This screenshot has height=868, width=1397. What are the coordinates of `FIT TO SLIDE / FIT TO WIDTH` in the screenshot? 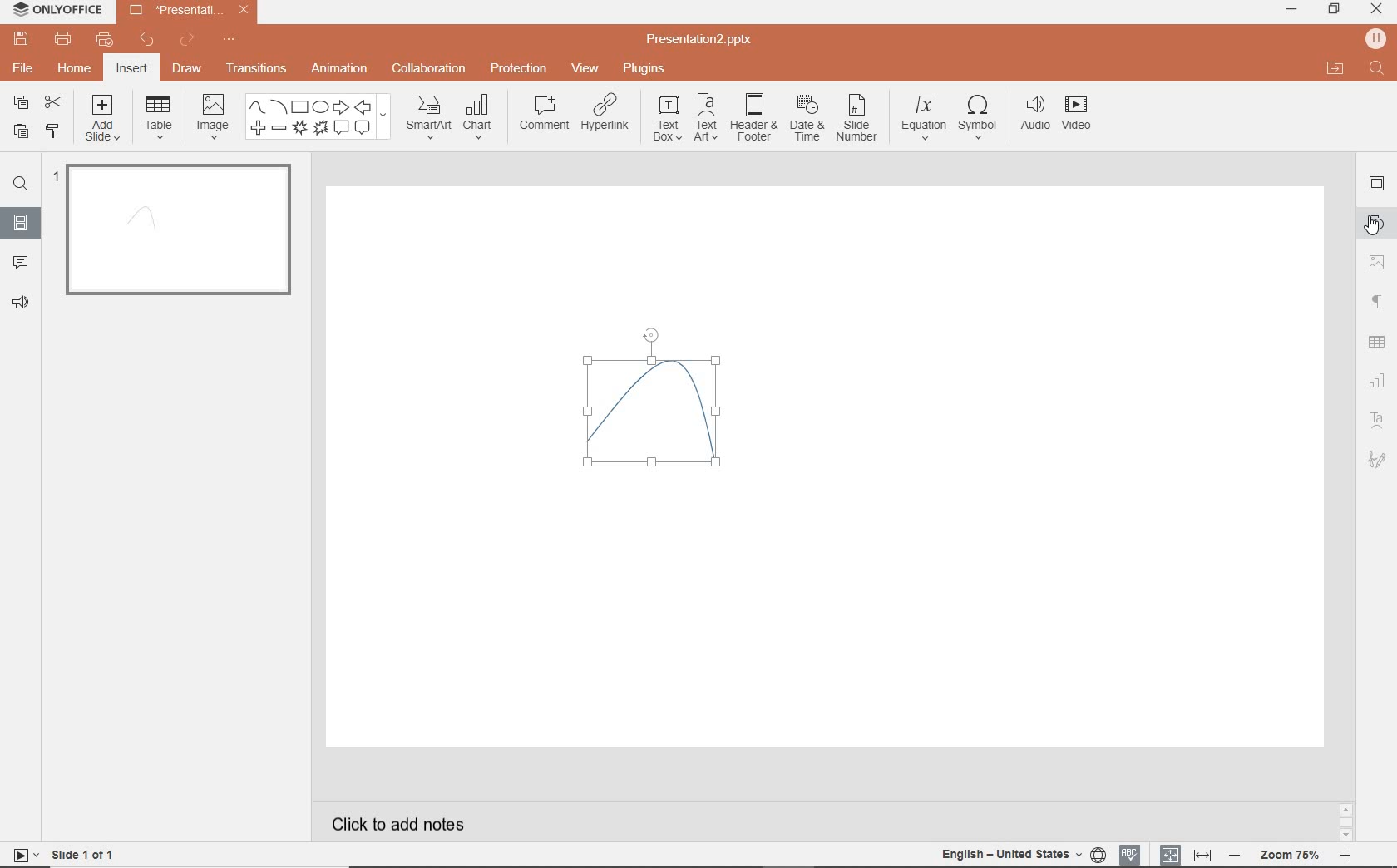 It's located at (1186, 853).